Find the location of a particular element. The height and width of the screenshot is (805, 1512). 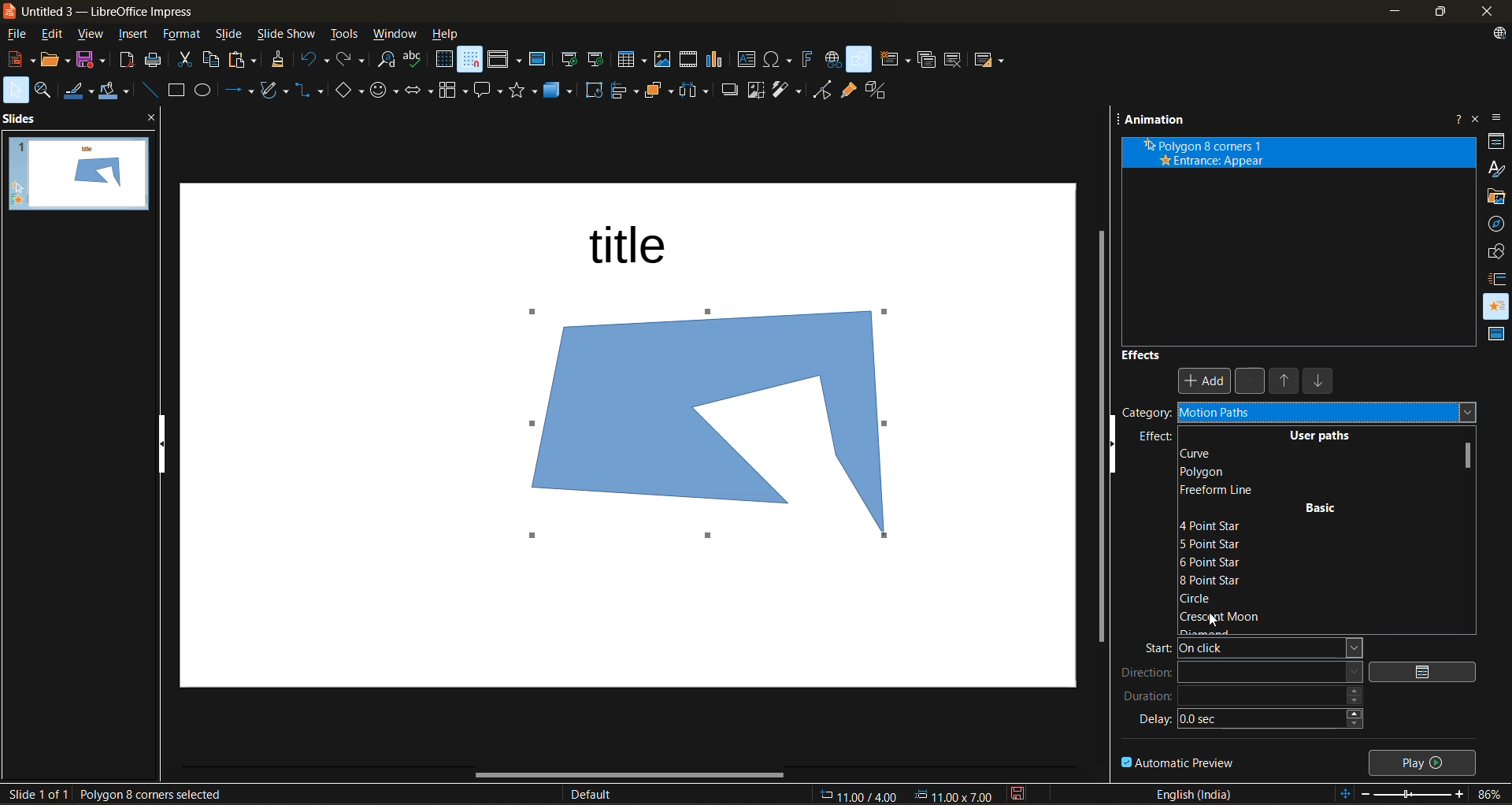

close sidebar deck is located at coordinates (1478, 117).